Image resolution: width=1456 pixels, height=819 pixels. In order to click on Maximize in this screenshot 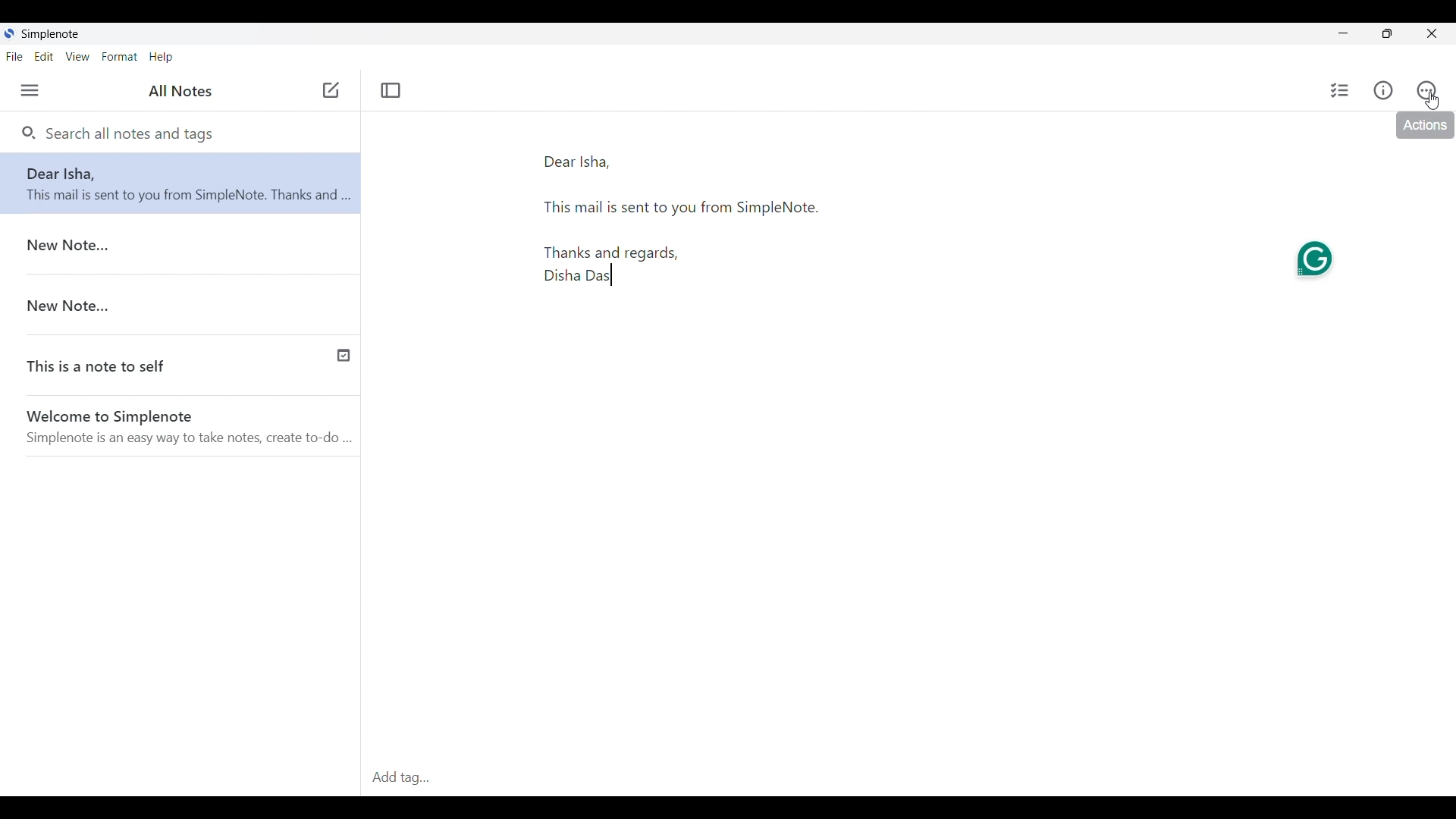, I will do `click(1387, 33)`.